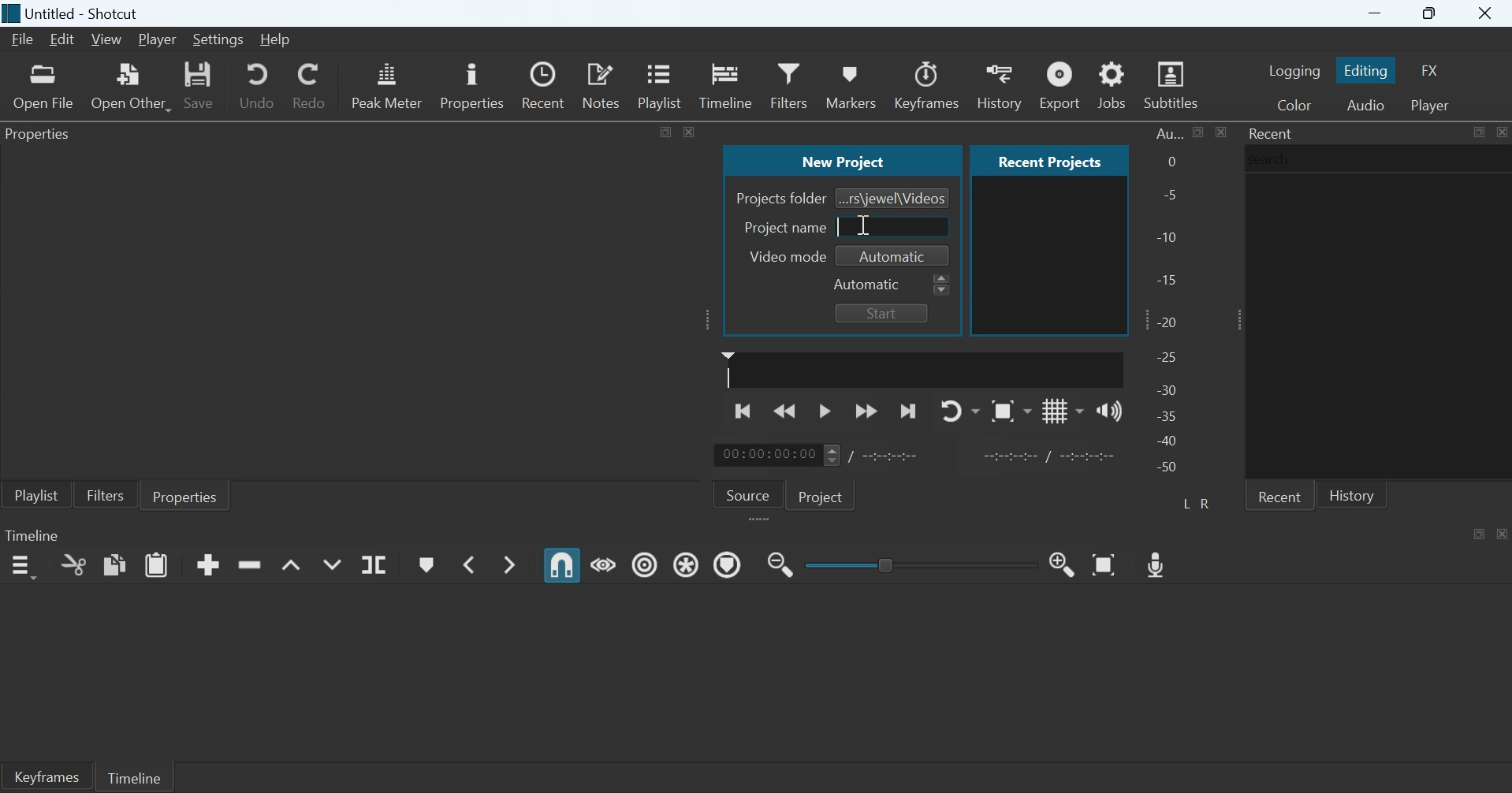  Describe the element at coordinates (892, 456) in the screenshot. I see `Duration` at that location.